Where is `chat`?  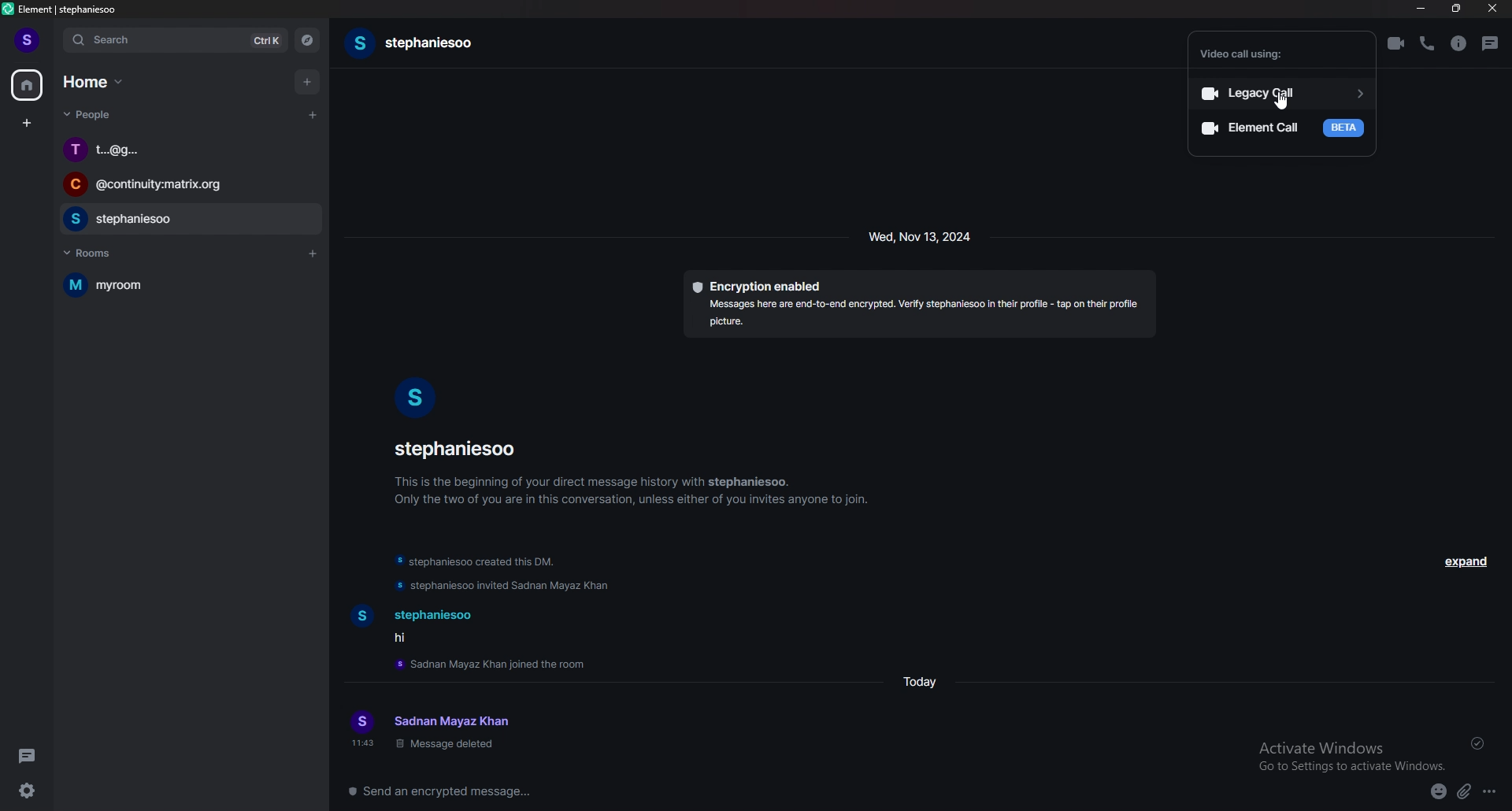
chat is located at coordinates (189, 150).